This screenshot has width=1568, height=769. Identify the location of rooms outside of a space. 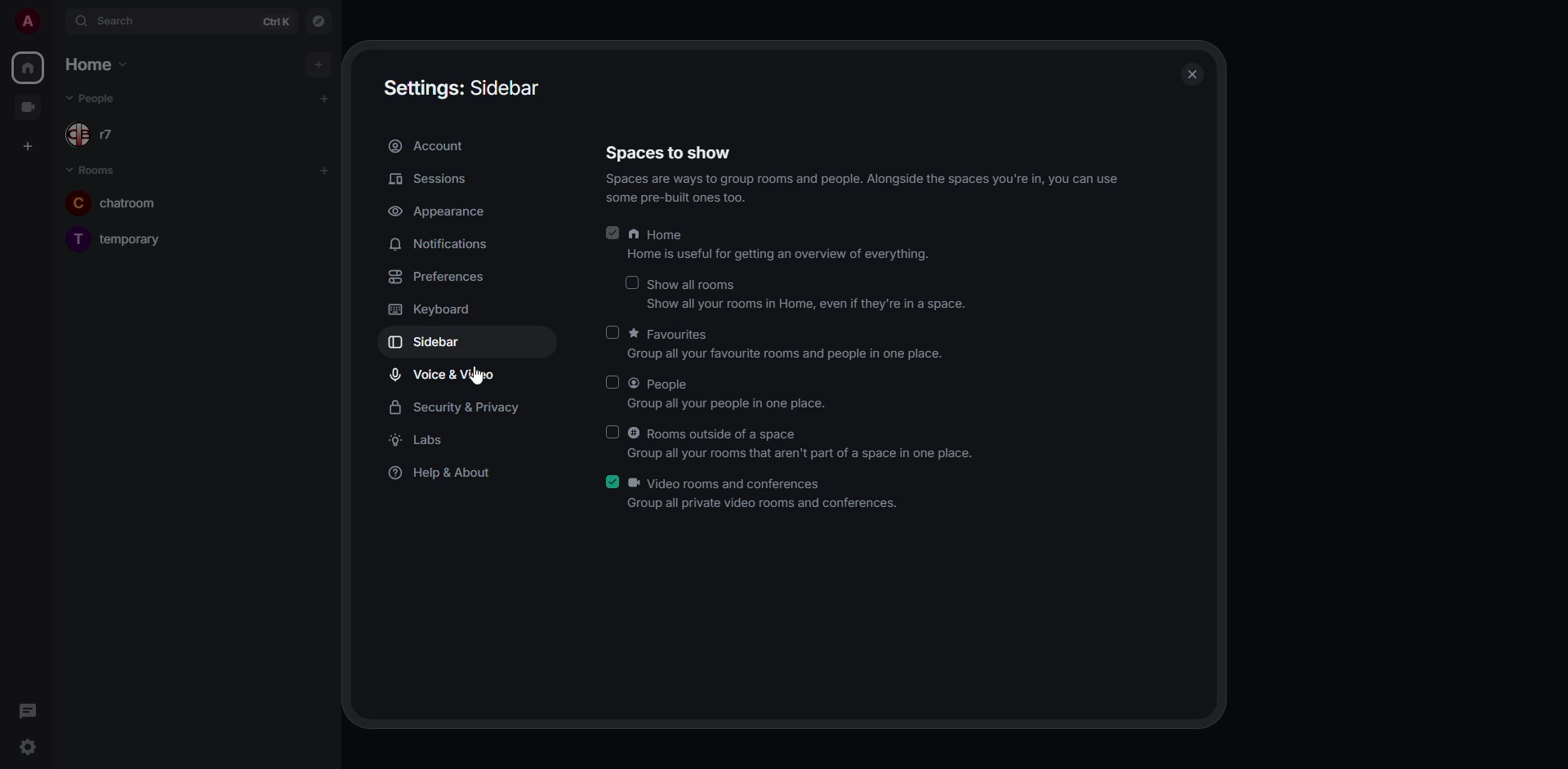
(801, 442).